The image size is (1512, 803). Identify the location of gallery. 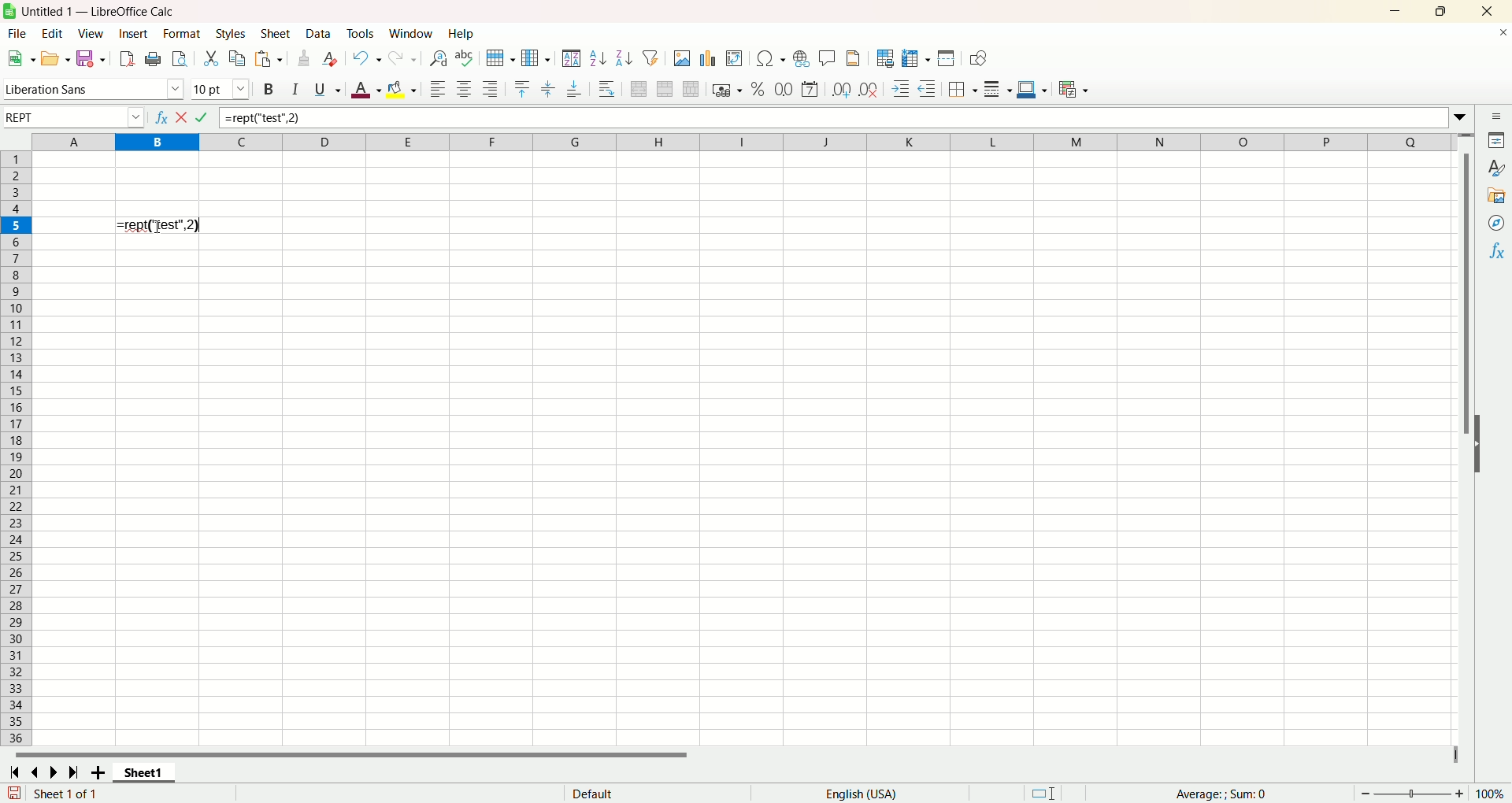
(1494, 196).